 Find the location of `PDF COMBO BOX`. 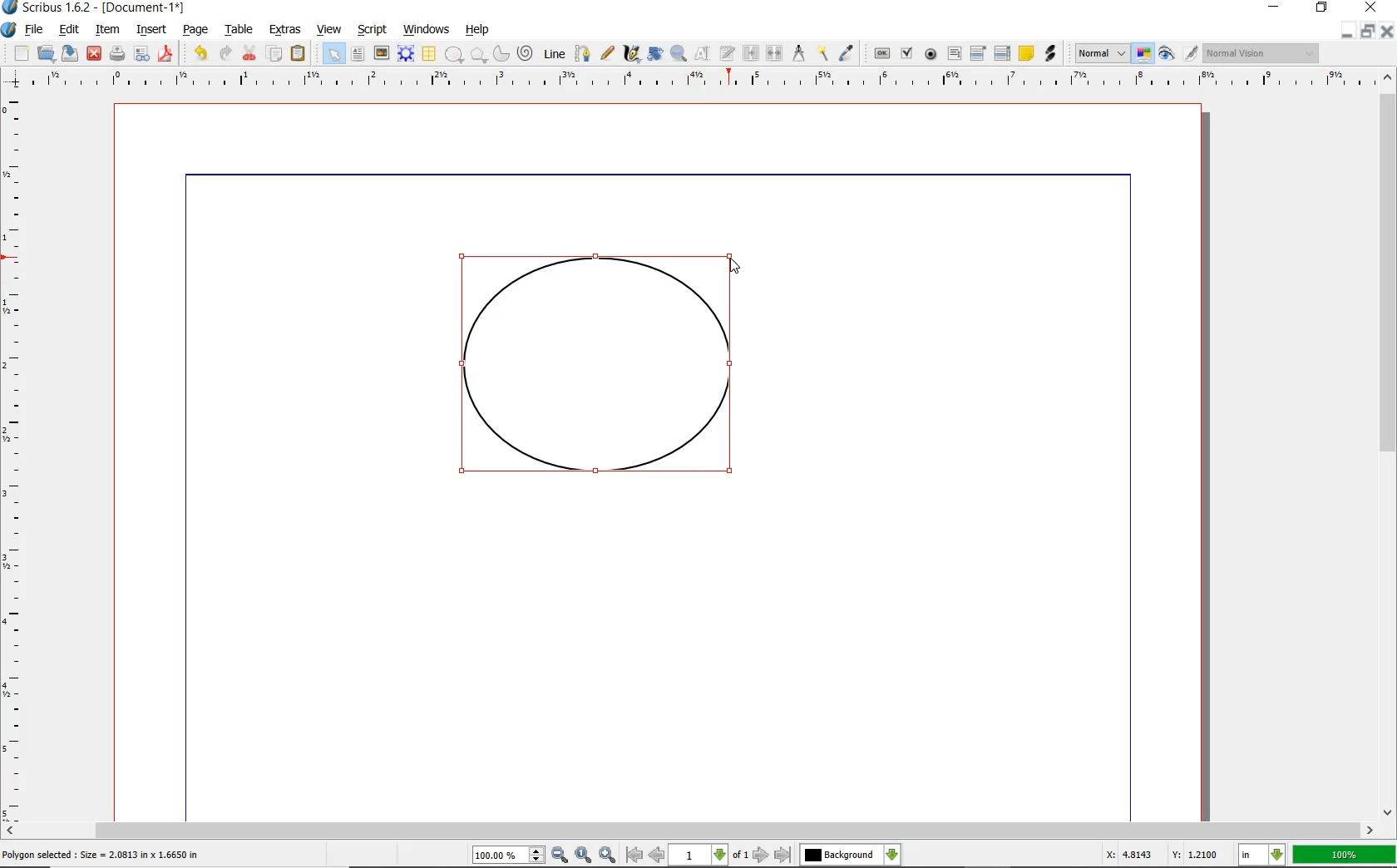

PDF COMBO BOX is located at coordinates (977, 52).